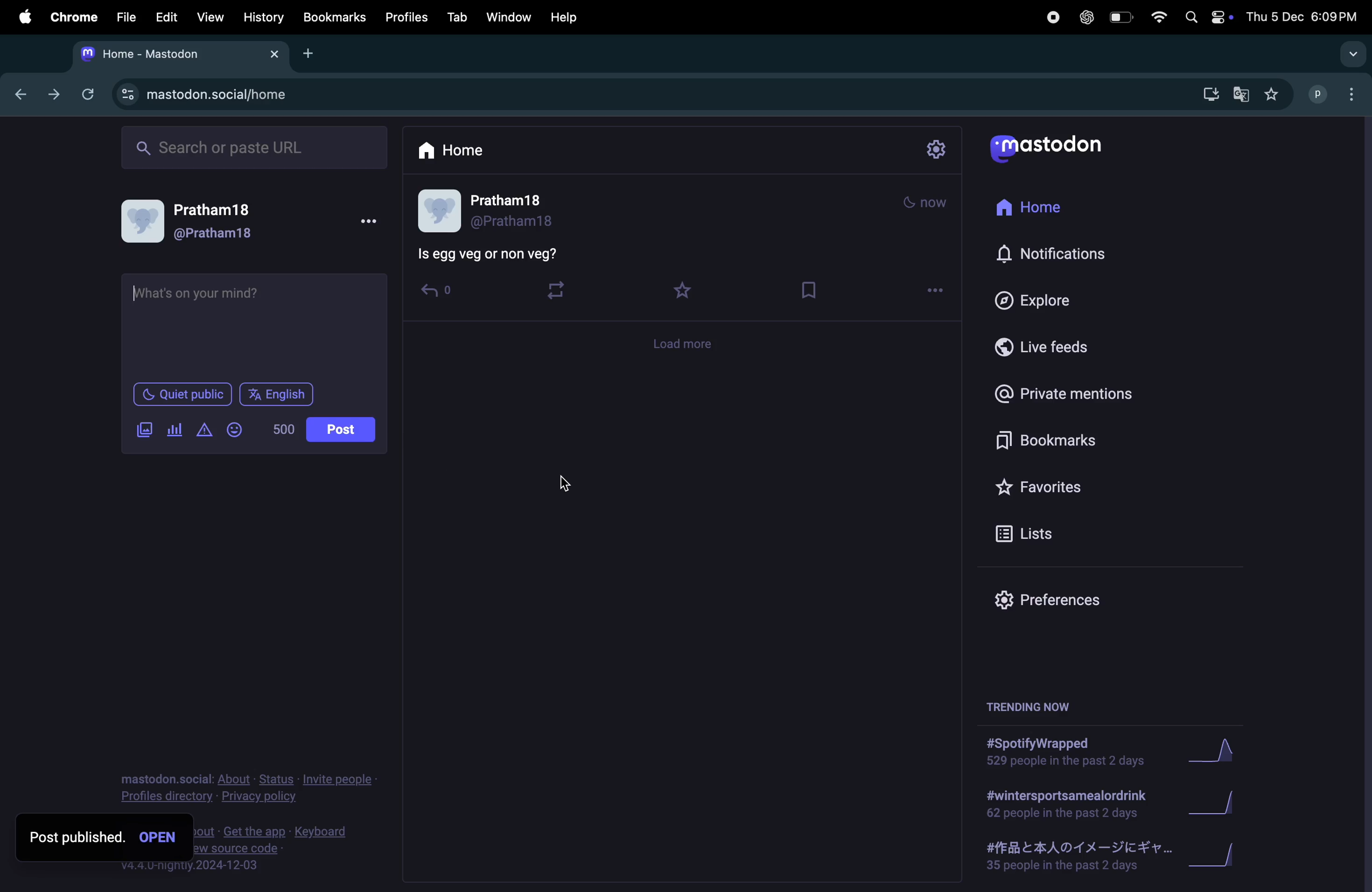 This screenshot has height=892, width=1372. Describe the element at coordinates (236, 429) in the screenshot. I see `emoji` at that location.